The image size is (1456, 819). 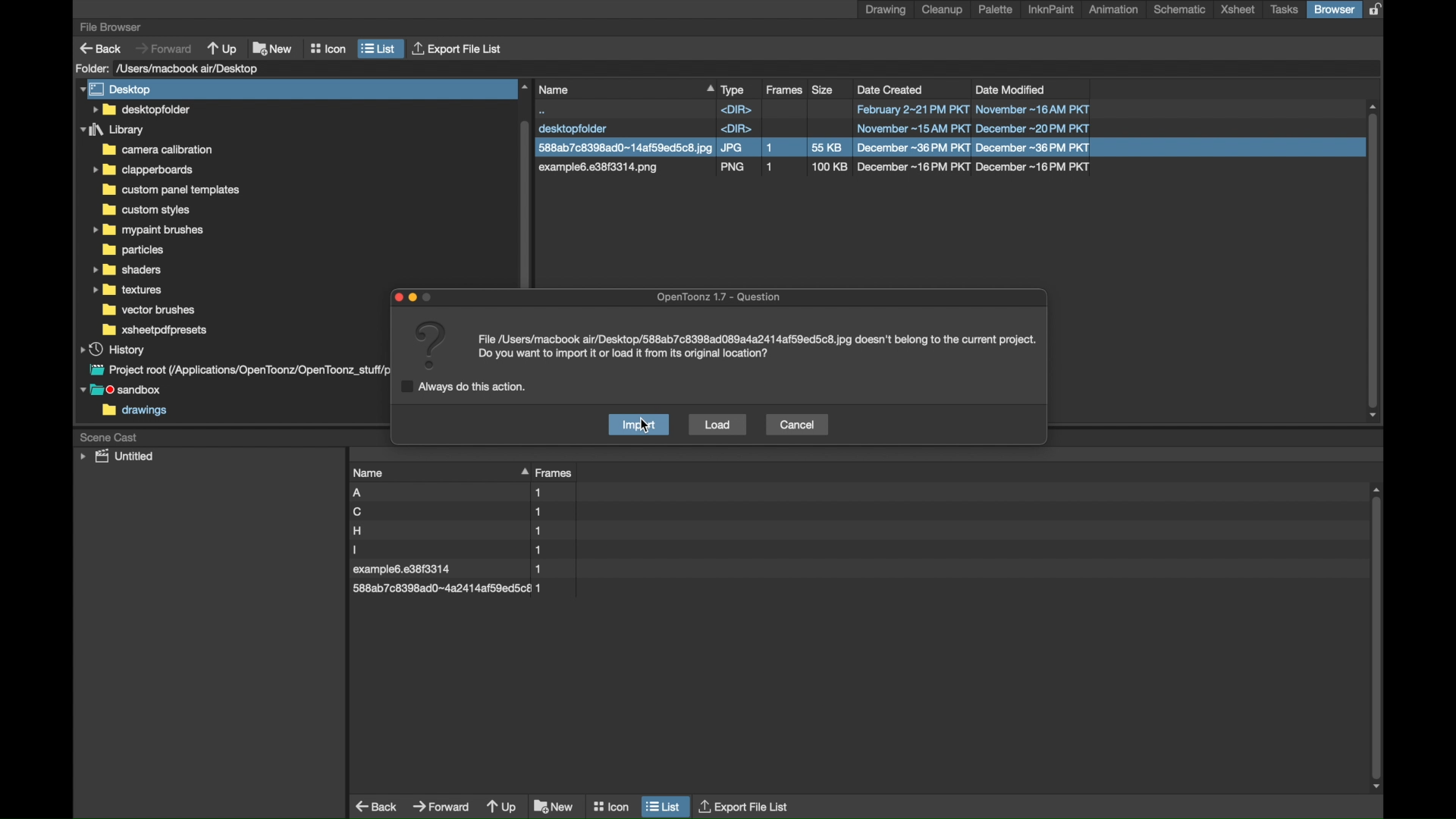 I want to click on export file list, so click(x=459, y=49).